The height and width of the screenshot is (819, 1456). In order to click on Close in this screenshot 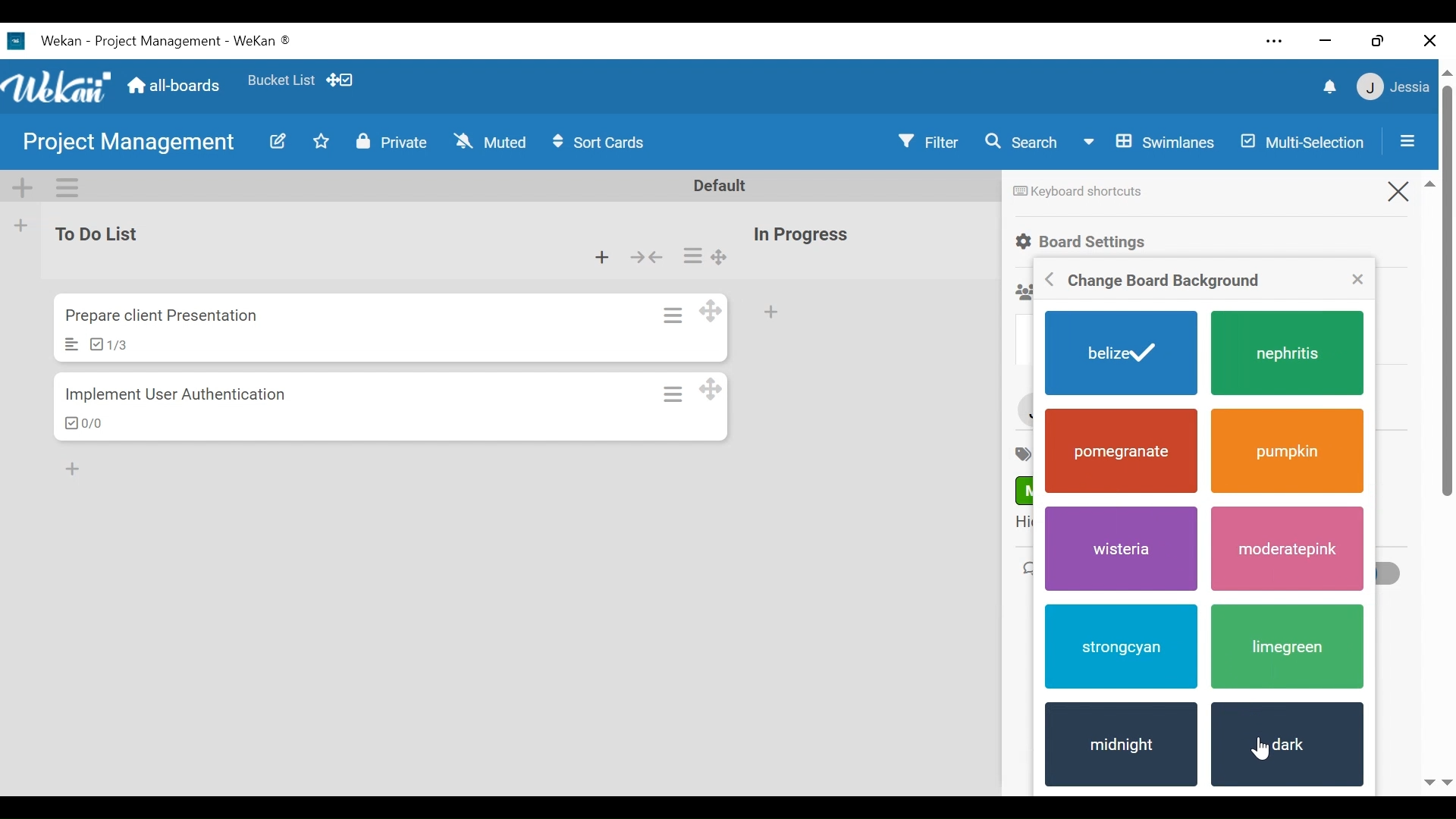, I will do `click(1411, 188)`.